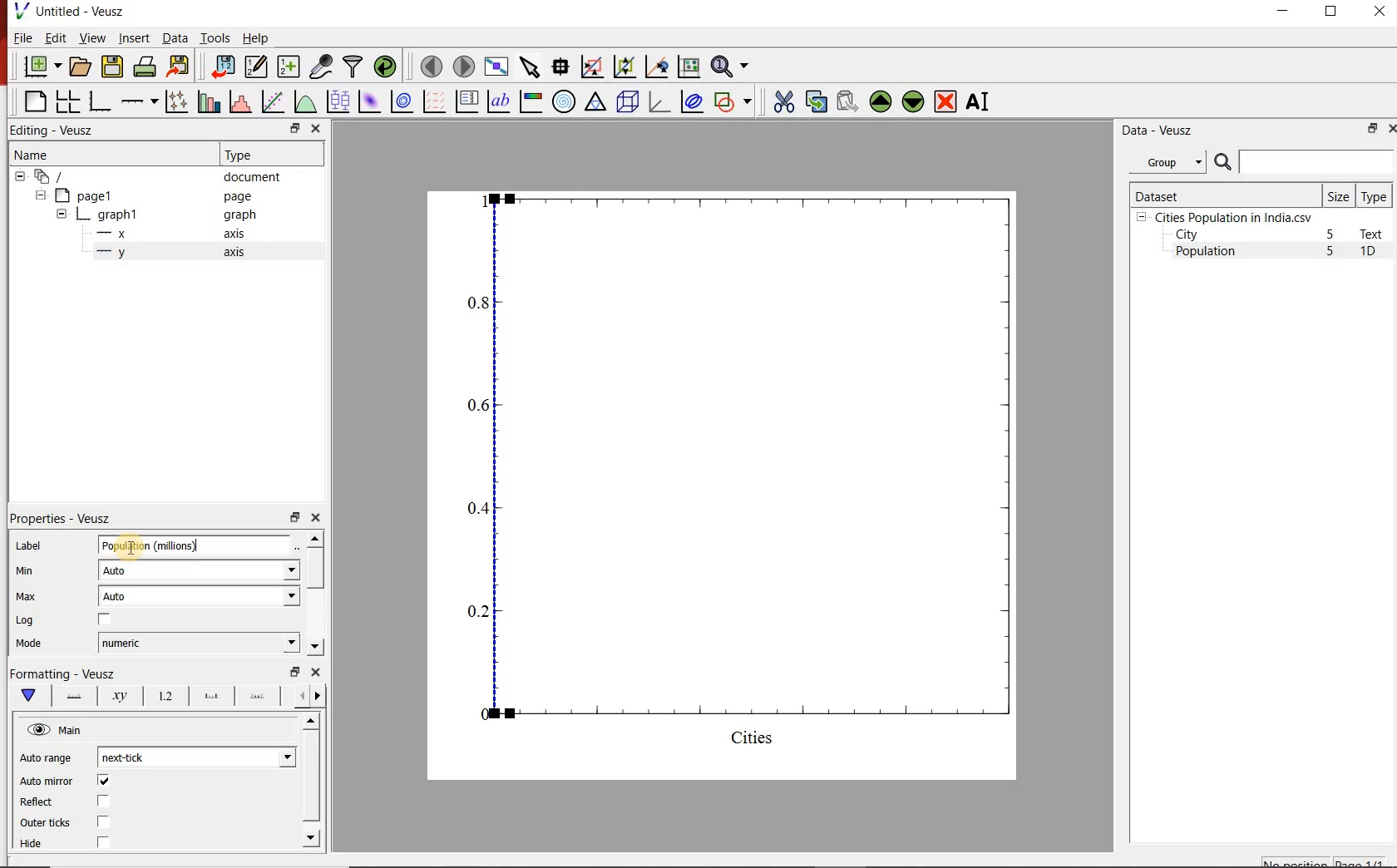 This screenshot has height=868, width=1397. I want to click on check/uncheck, so click(105, 619).